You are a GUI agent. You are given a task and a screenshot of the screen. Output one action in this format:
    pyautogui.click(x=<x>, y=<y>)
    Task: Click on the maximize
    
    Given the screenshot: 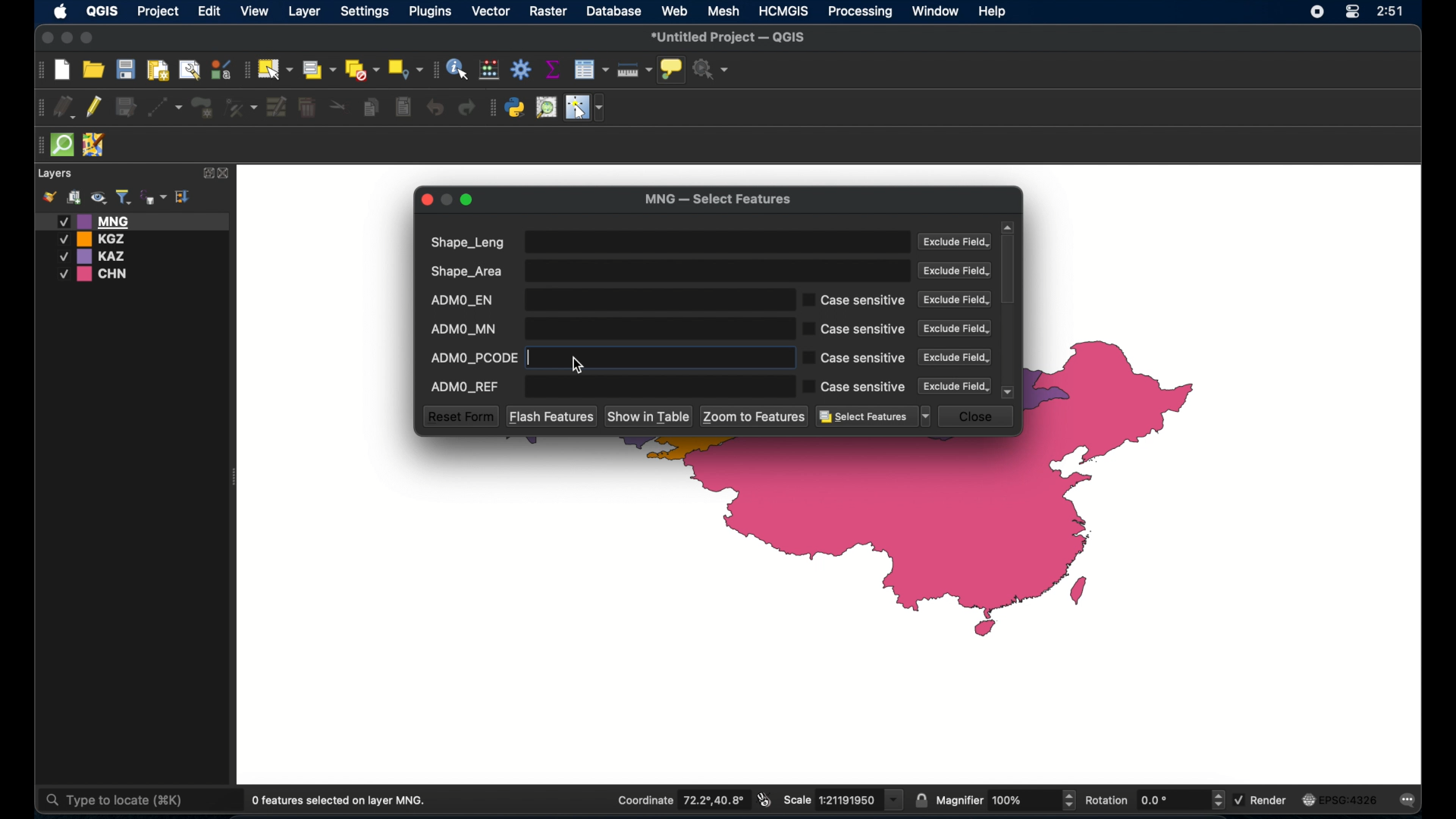 What is the action you would take?
    pyautogui.click(x=88, y=39)
    